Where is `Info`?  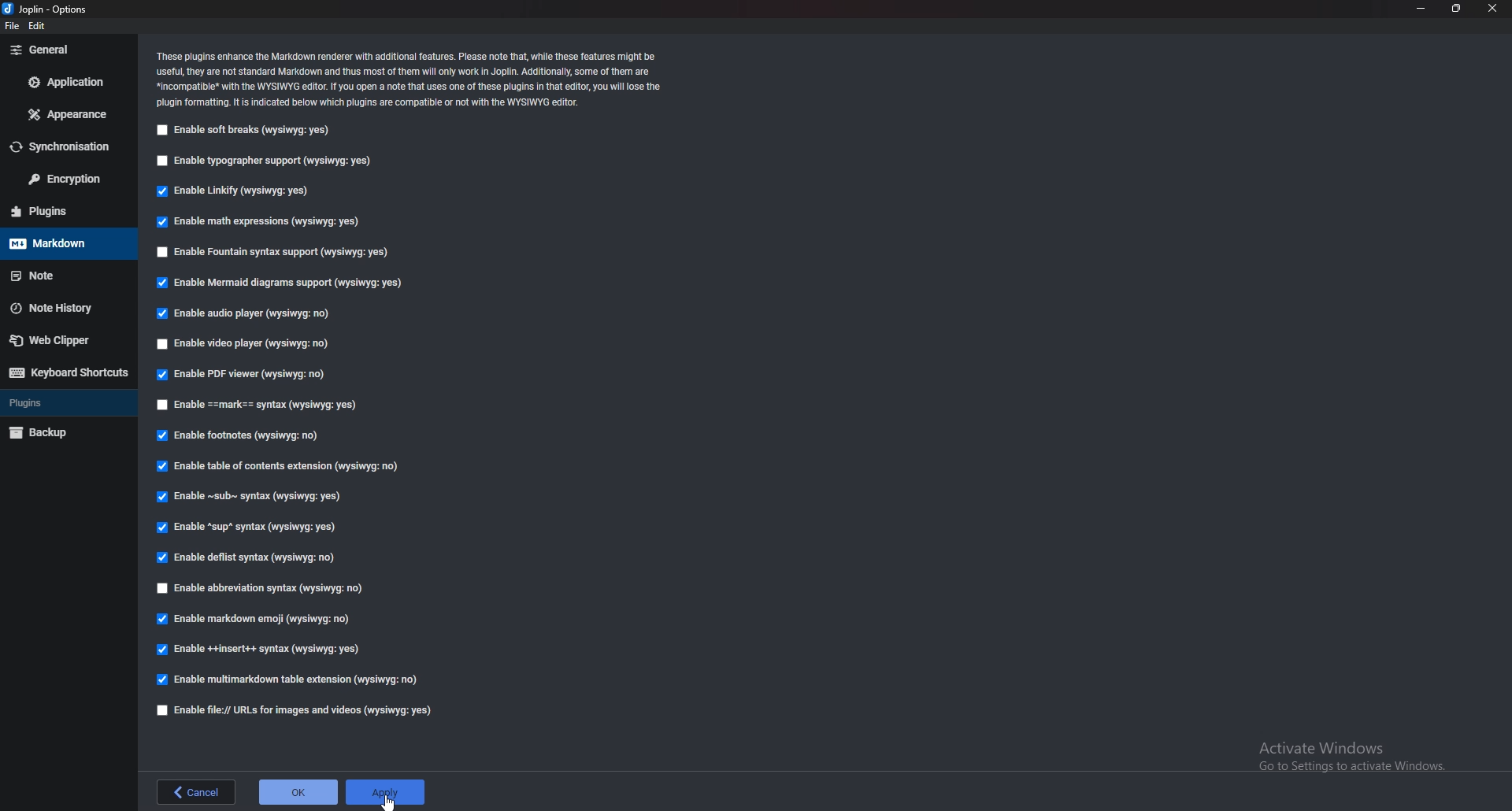
Info is located at coordinates (420, 80).